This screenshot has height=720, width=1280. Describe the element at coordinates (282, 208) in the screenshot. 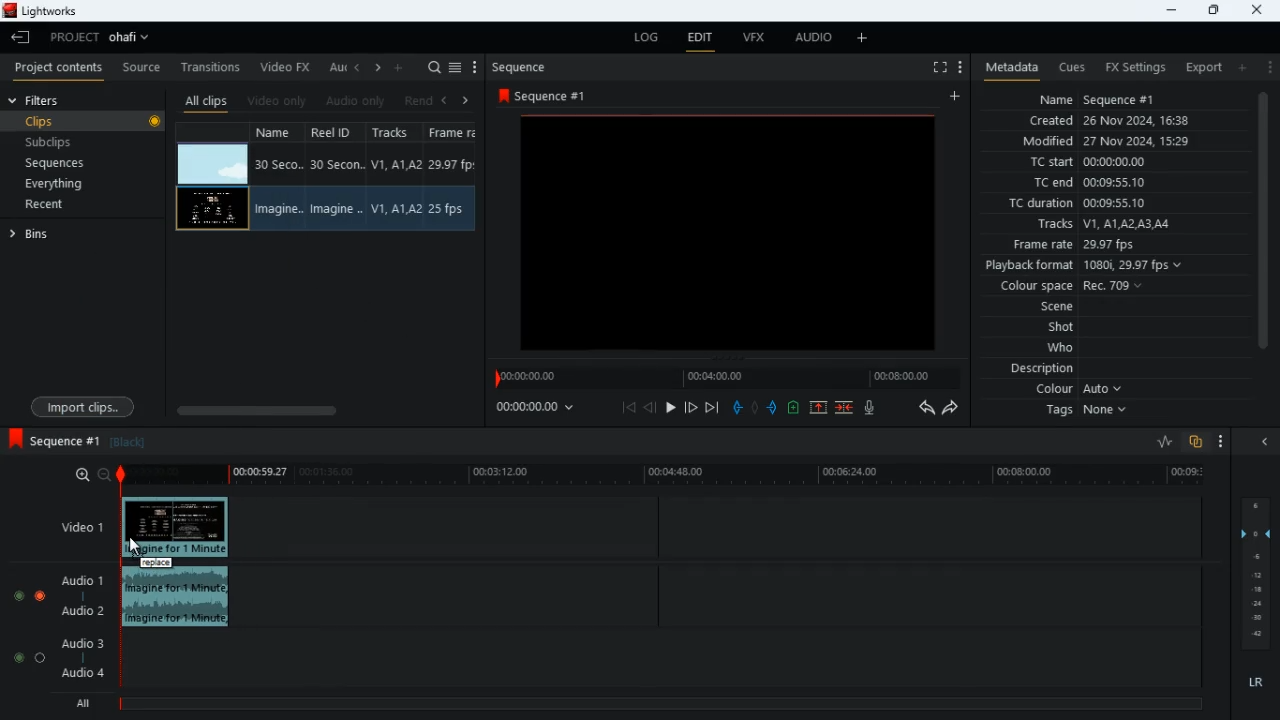

I see `Imagine` at that location.